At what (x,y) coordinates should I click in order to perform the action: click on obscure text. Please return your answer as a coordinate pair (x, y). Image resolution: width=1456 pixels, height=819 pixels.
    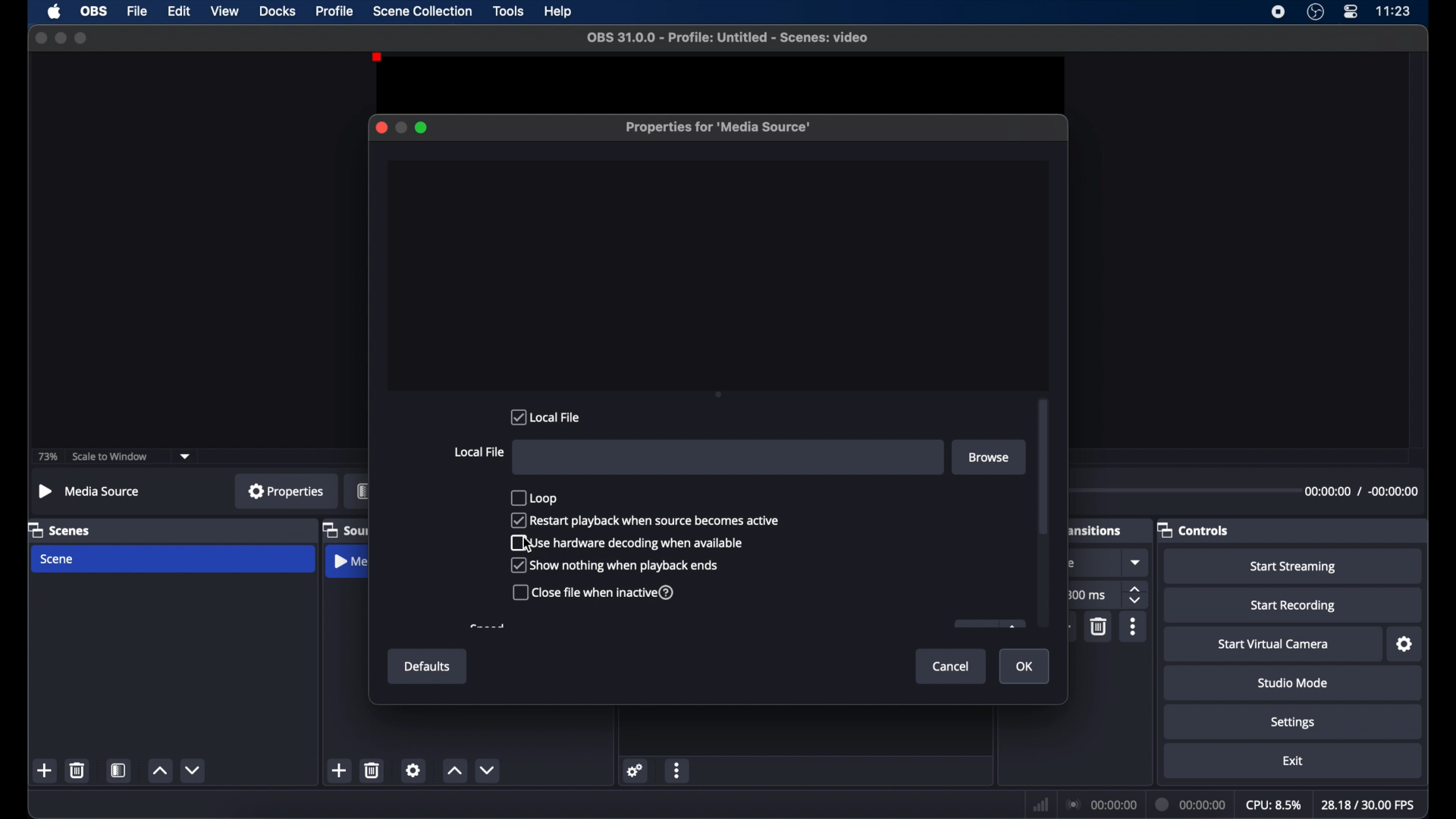
    Looking at the image, I should click on (1069, 529).